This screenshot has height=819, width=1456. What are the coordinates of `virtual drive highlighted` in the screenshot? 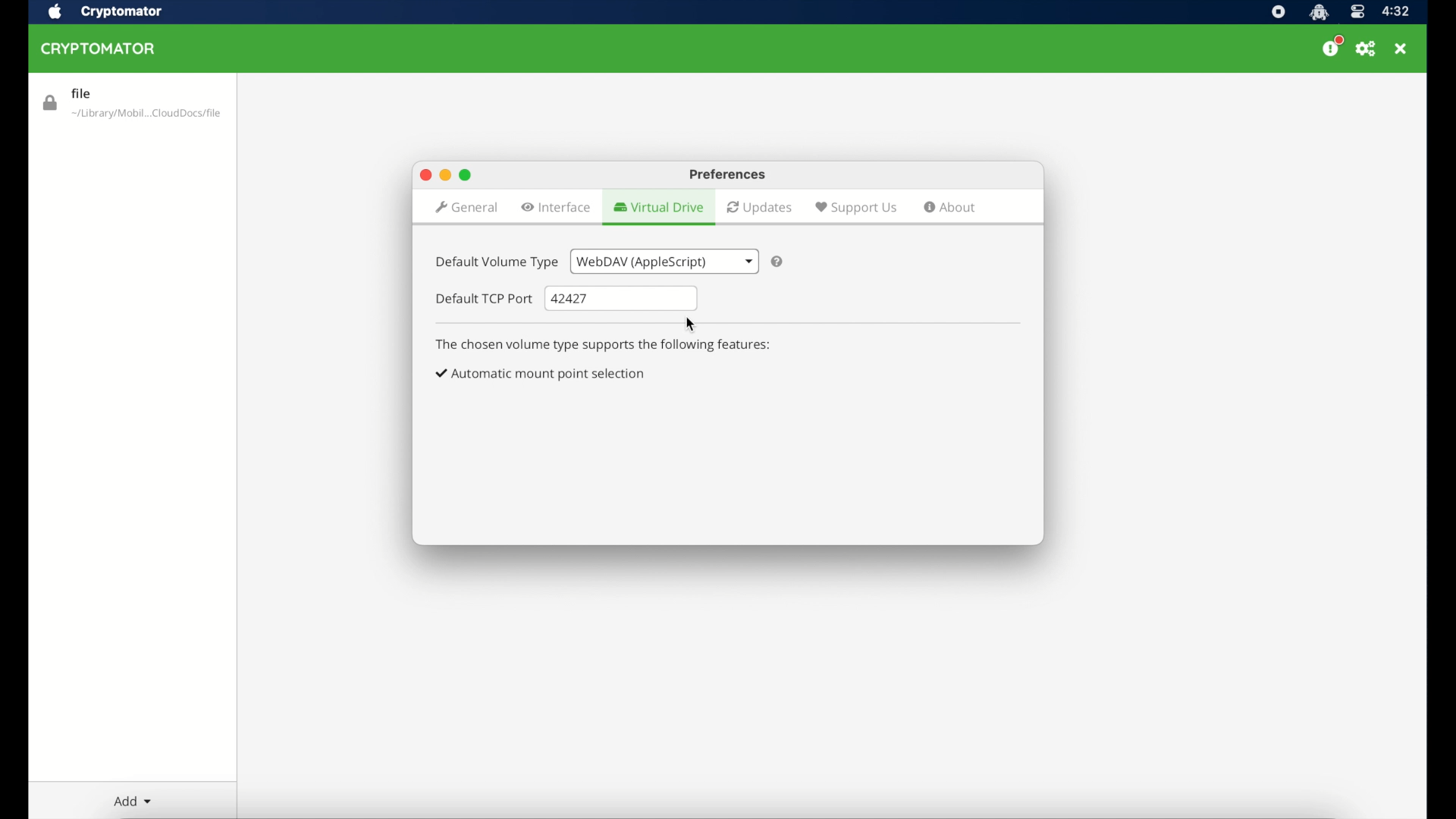 It's located at (657, 208).